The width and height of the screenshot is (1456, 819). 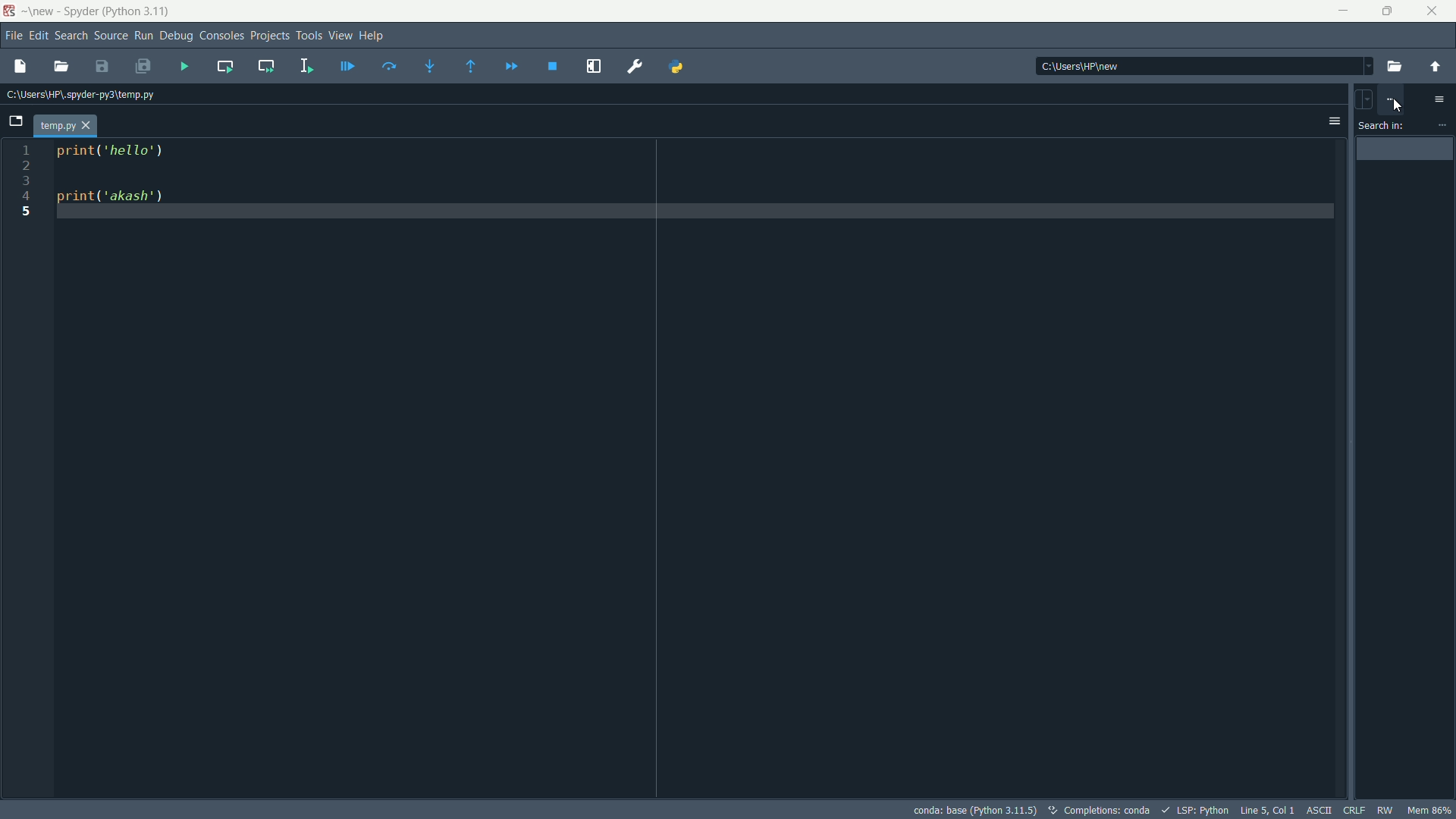 What do you see at coordinates (511, 68) in the screenshot?
I see `continue execution untill next breakdown` at bounding box center [511, 68].